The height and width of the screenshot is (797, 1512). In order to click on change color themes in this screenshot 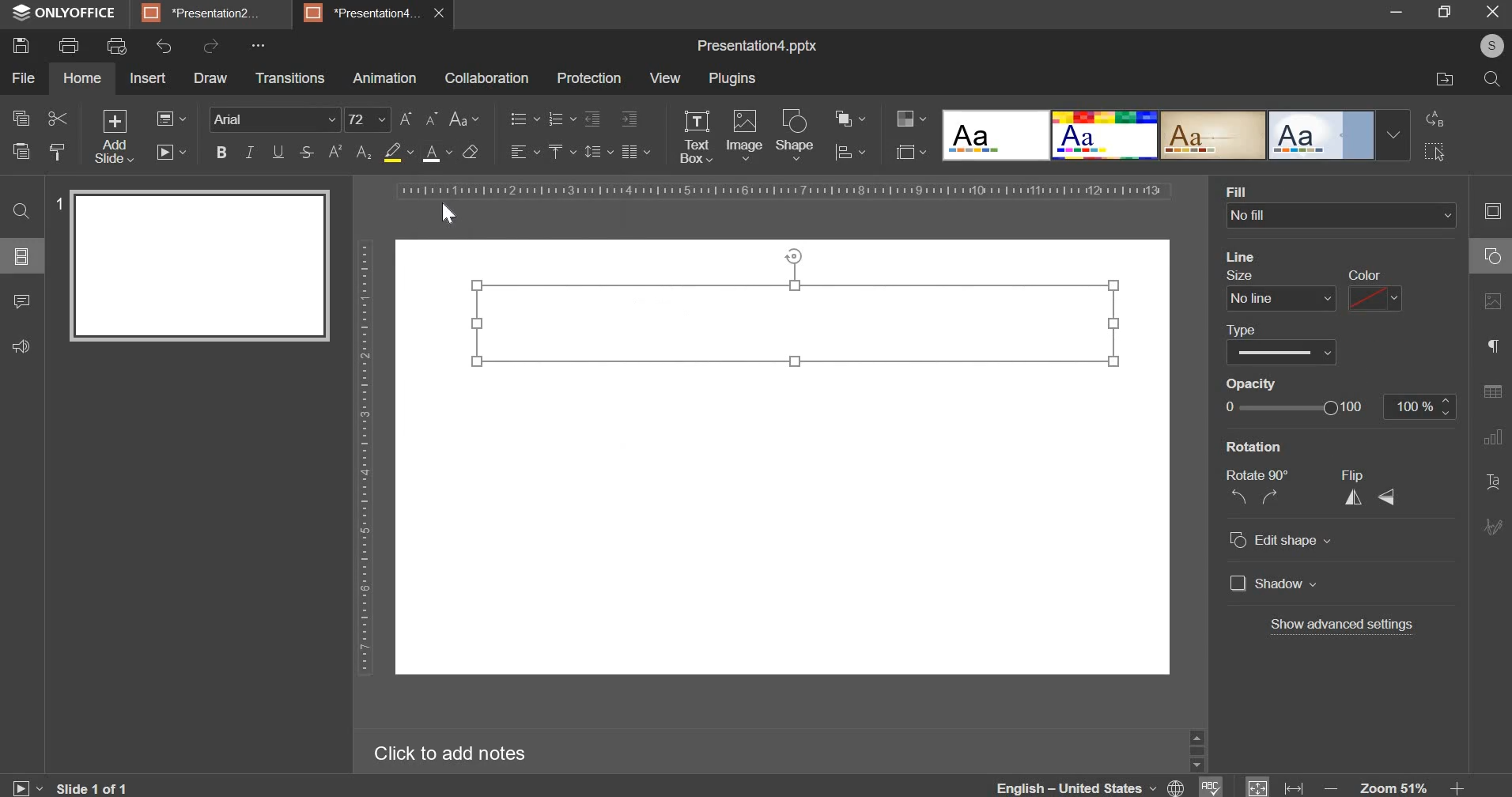, I will do `click(911, 118)`.